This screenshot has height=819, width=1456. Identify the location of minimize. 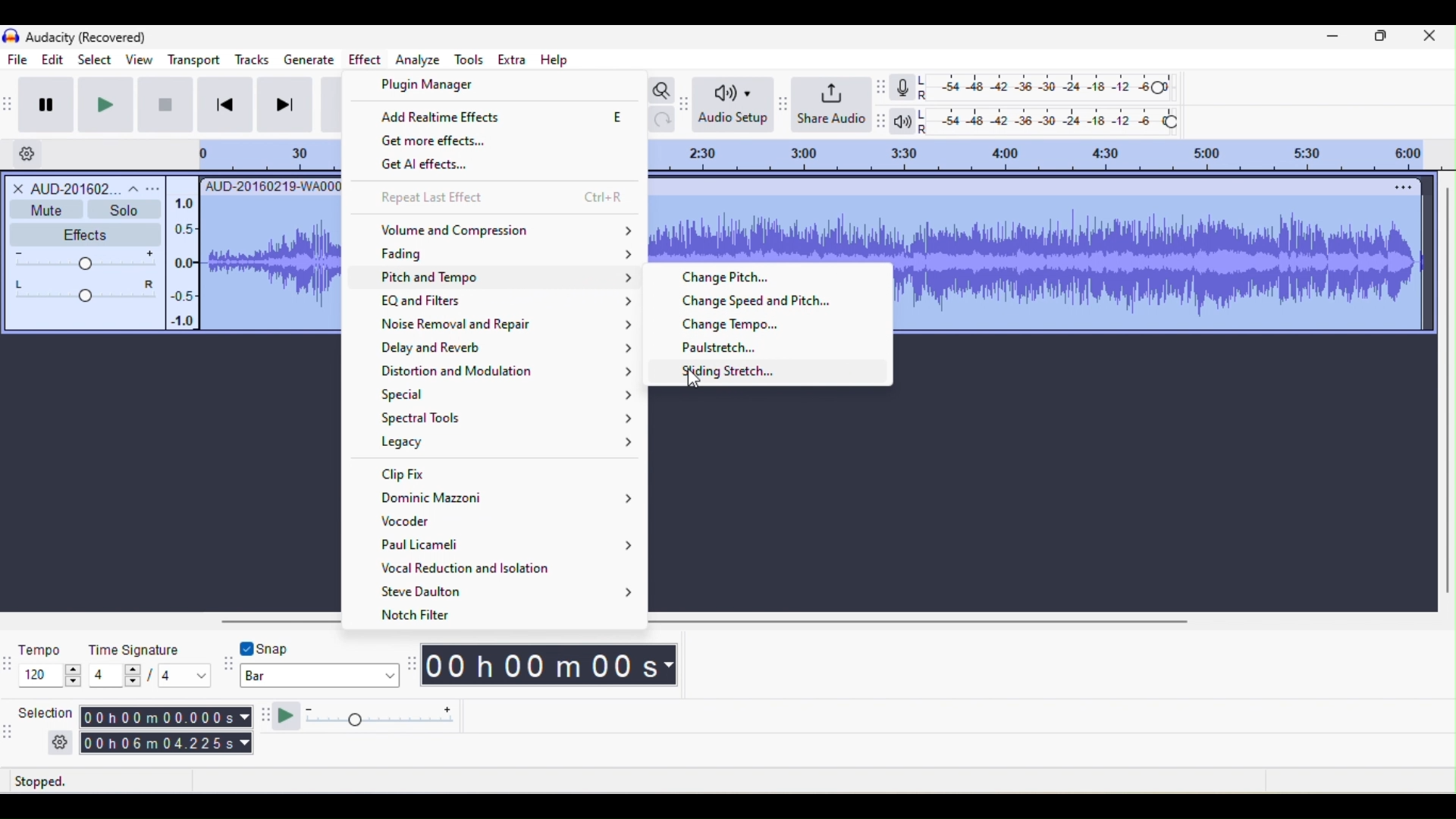
(1335, 39).